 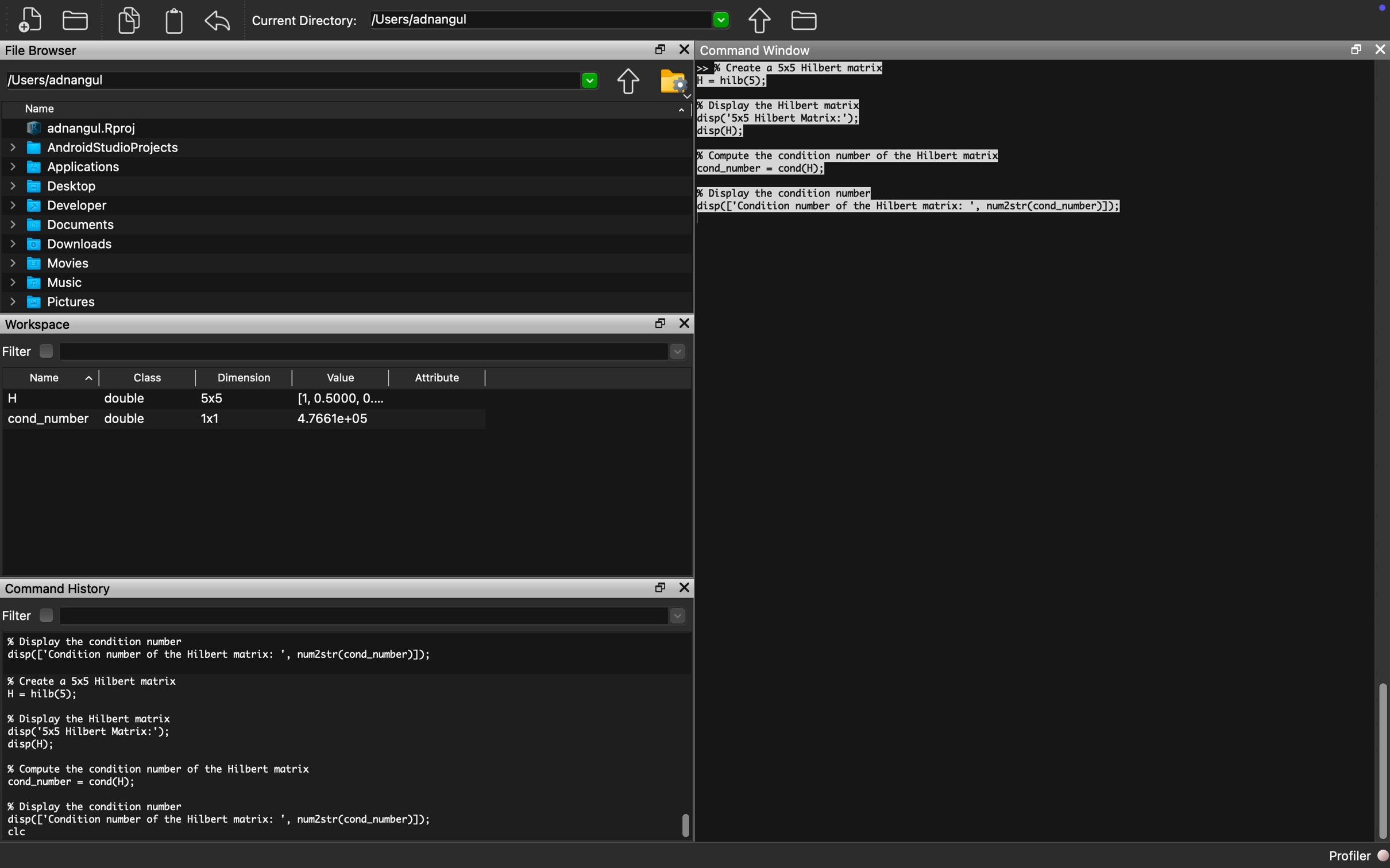 What do you see at coordinates (684, 323) in the screenshot?
I see `Close` at bounding box center [684, 323].